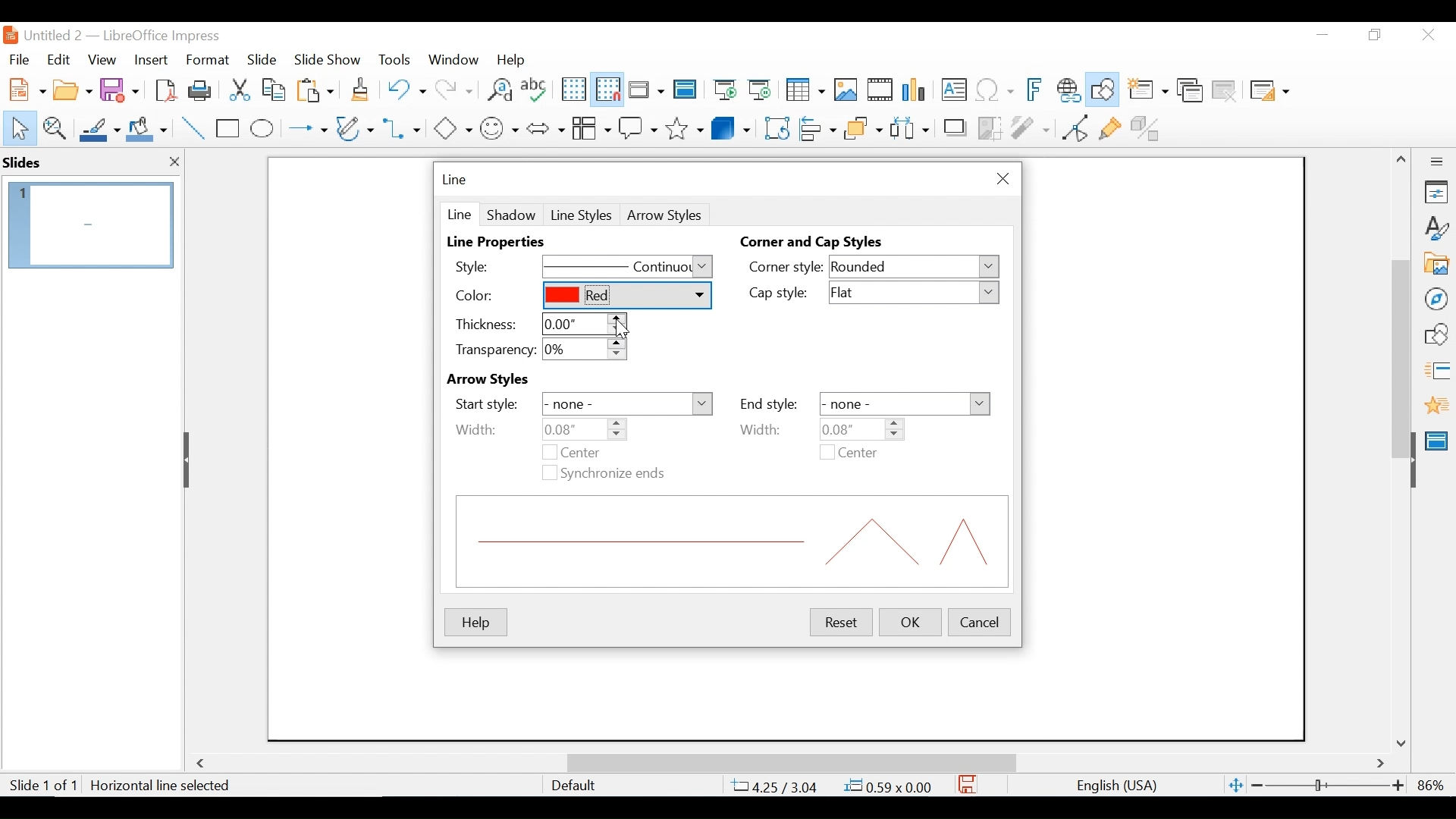 The width and height of the screenshot is (1456, 819). I want to click on Vertical Scrollbar, so click(1400, 341).